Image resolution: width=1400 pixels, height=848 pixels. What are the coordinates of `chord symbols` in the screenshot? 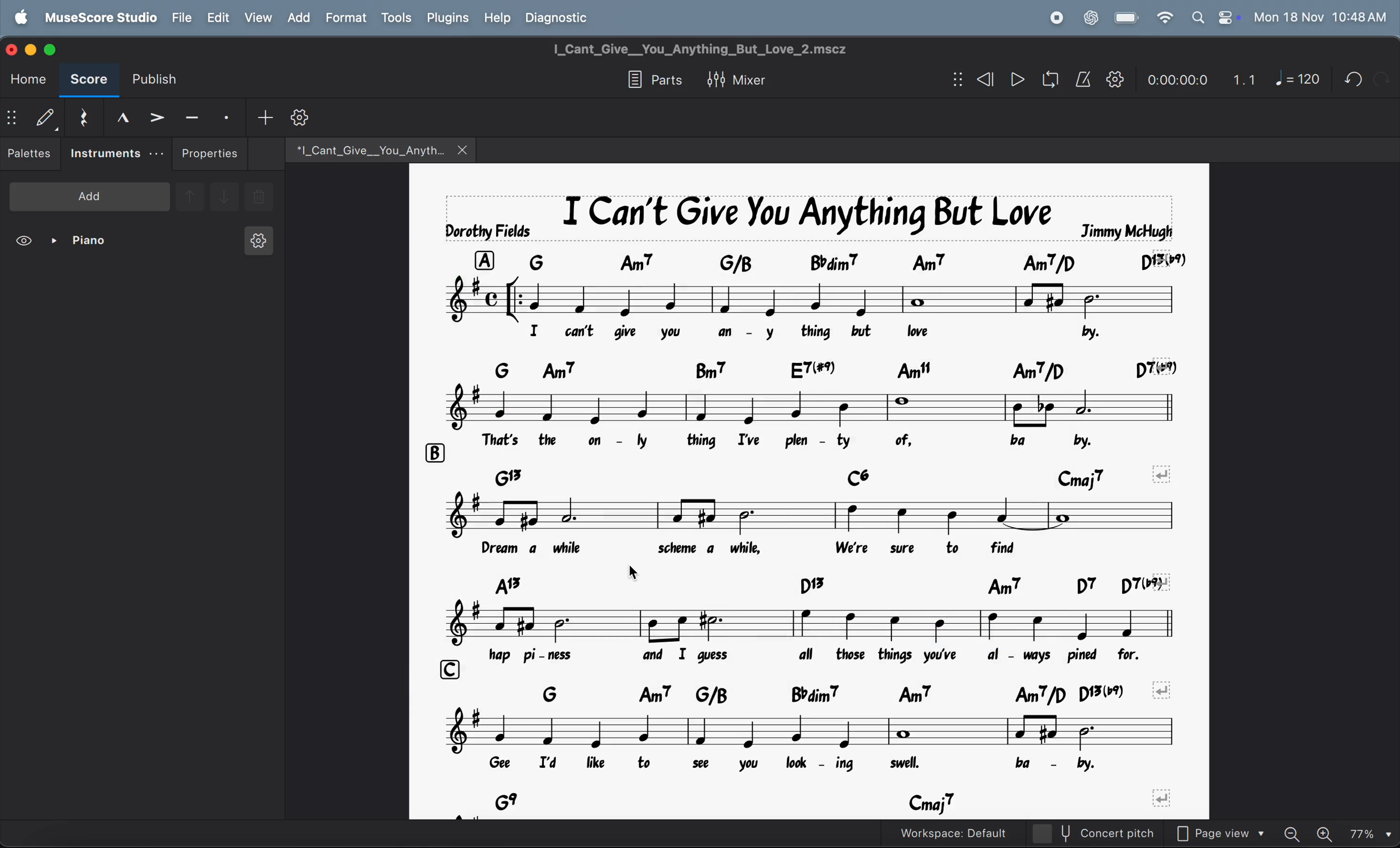 It's located at (835, 691).